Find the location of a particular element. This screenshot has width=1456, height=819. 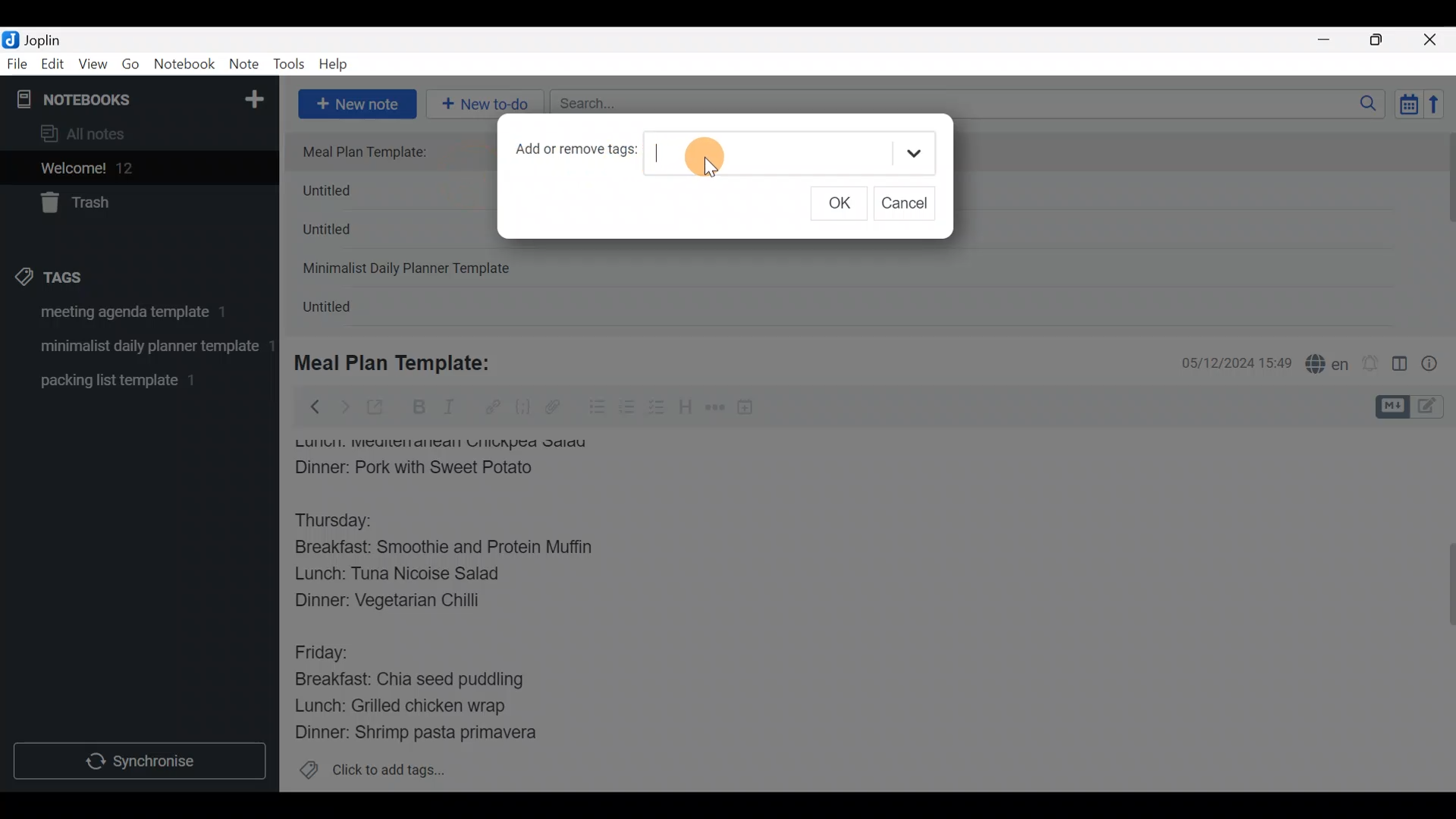

Dinner: Vegetarian Chilli is located at coordinates (401, 604).